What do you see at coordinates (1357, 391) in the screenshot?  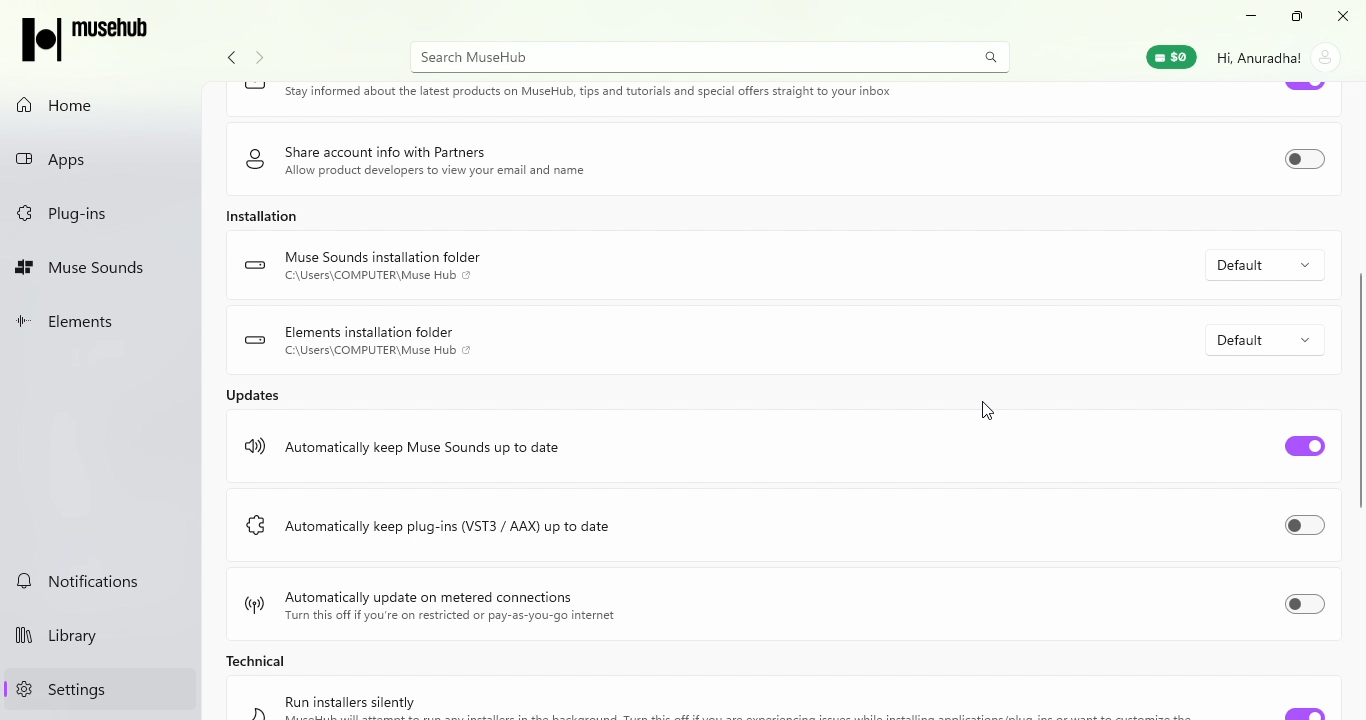 I see `scroll bar` at bounding box center [1357, 391].